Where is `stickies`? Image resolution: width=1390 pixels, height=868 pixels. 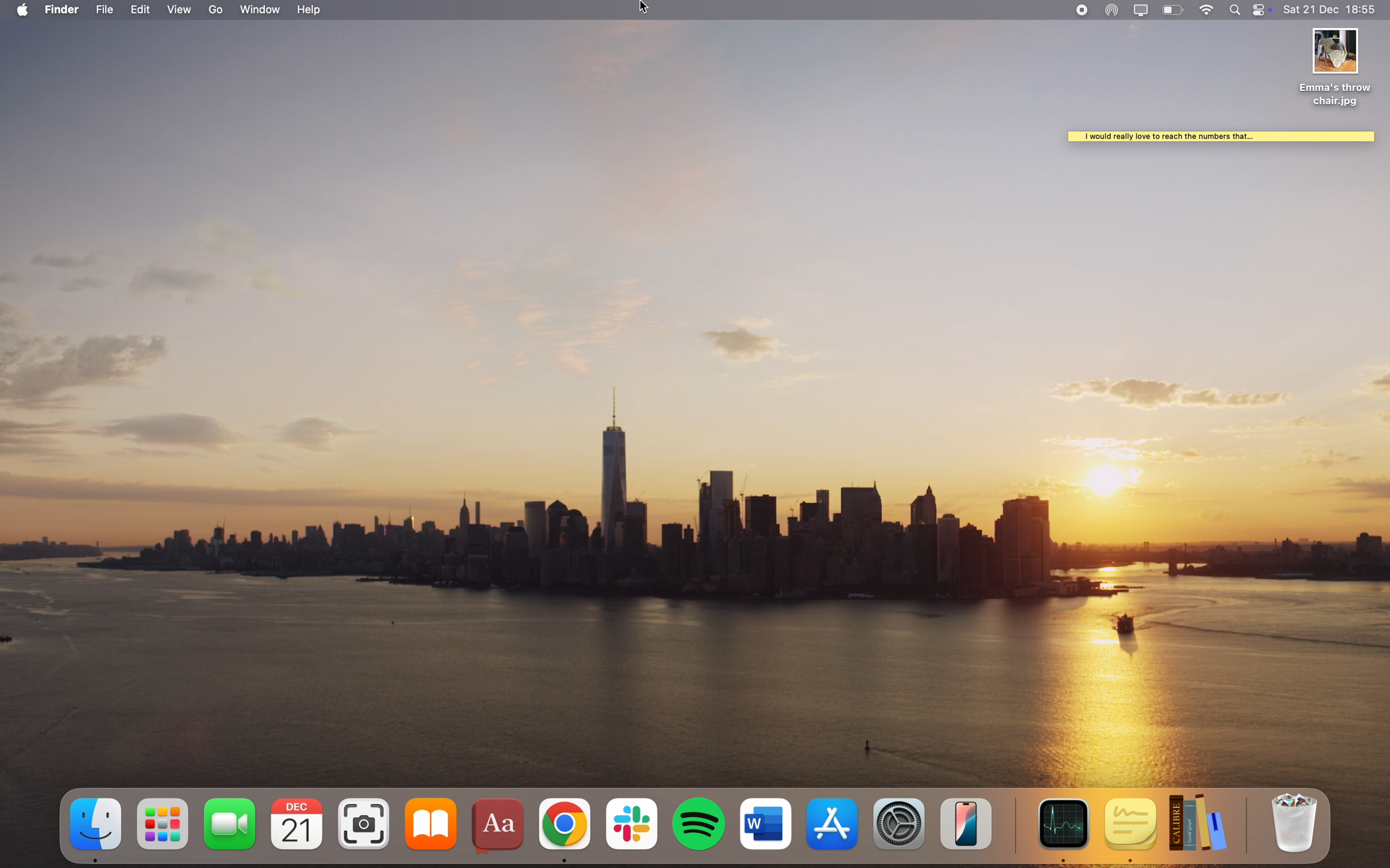
stickies is located at coordinates (1131, 831).